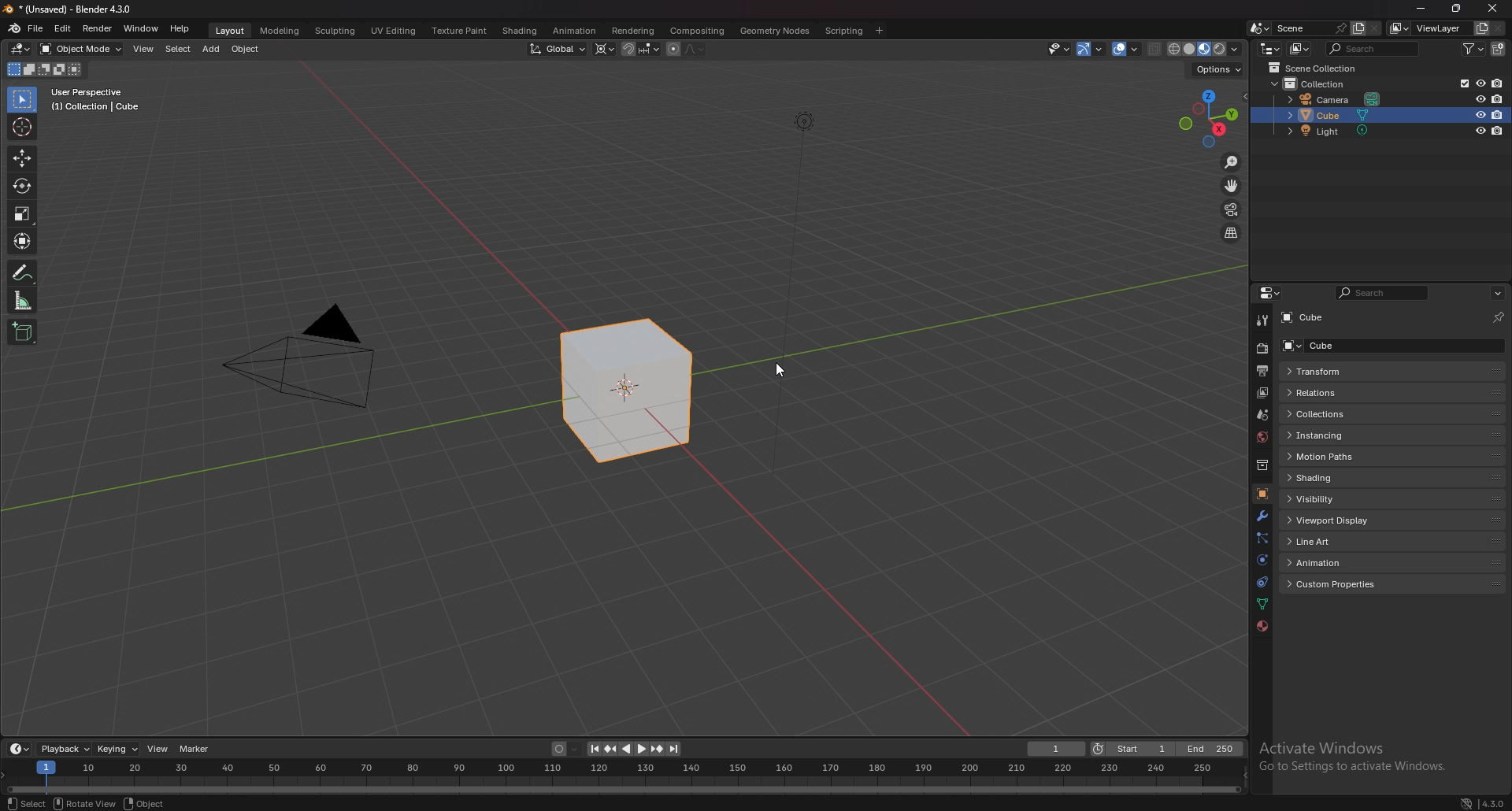  Describe the element at coordinates (1339, 584) in the screenshot. I see `custom properties` at that location.